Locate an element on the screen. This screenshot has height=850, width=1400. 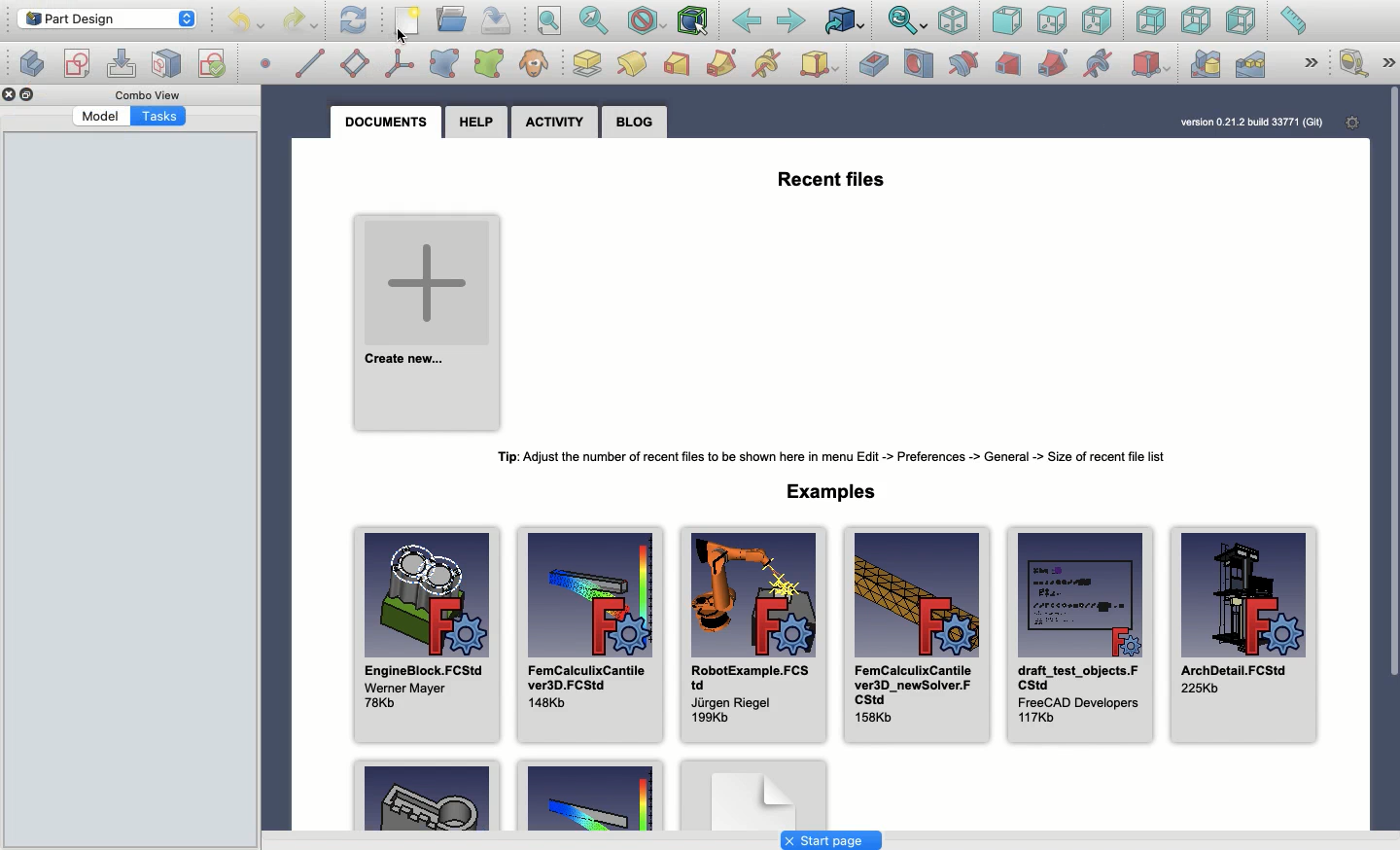
Pad design modelling is located at coordinates (634, 66).